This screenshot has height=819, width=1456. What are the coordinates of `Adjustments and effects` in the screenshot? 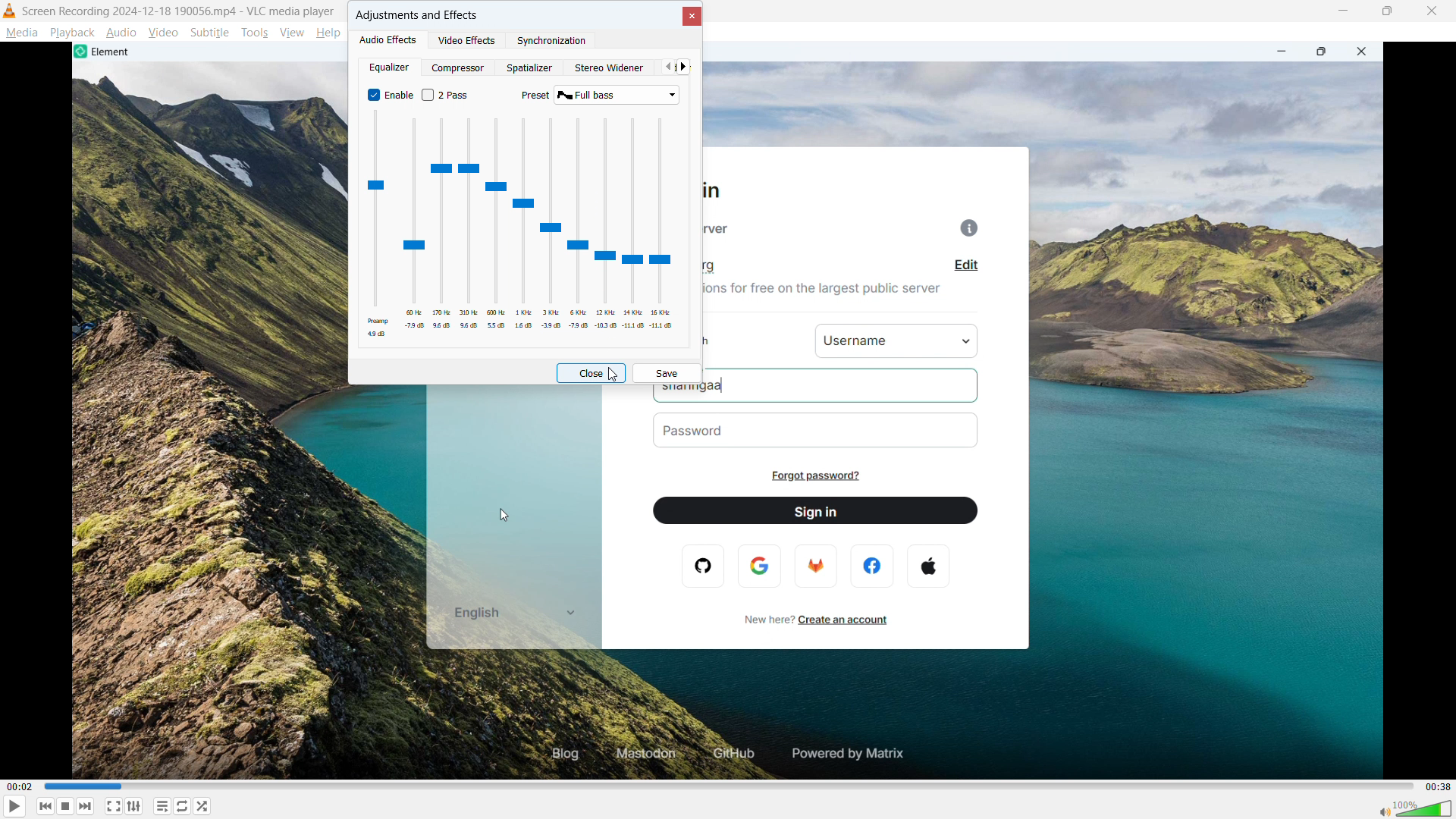 It's located at (417, 15).